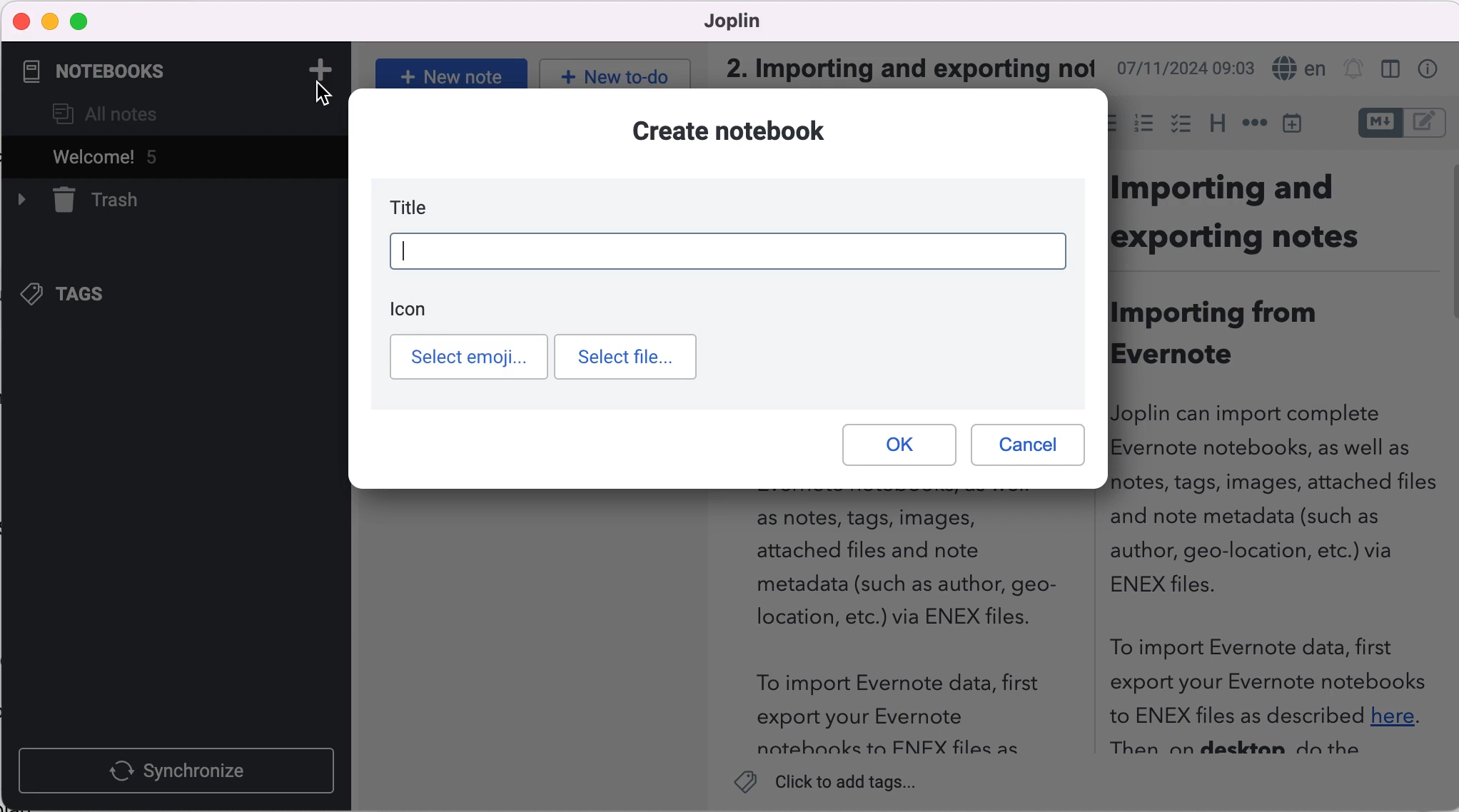 This screenshot has height=812, width=1459. What do you see at coordinates (1295, 123) in the screenshot?
I see `insert time` at bounding box center [1295, 123].